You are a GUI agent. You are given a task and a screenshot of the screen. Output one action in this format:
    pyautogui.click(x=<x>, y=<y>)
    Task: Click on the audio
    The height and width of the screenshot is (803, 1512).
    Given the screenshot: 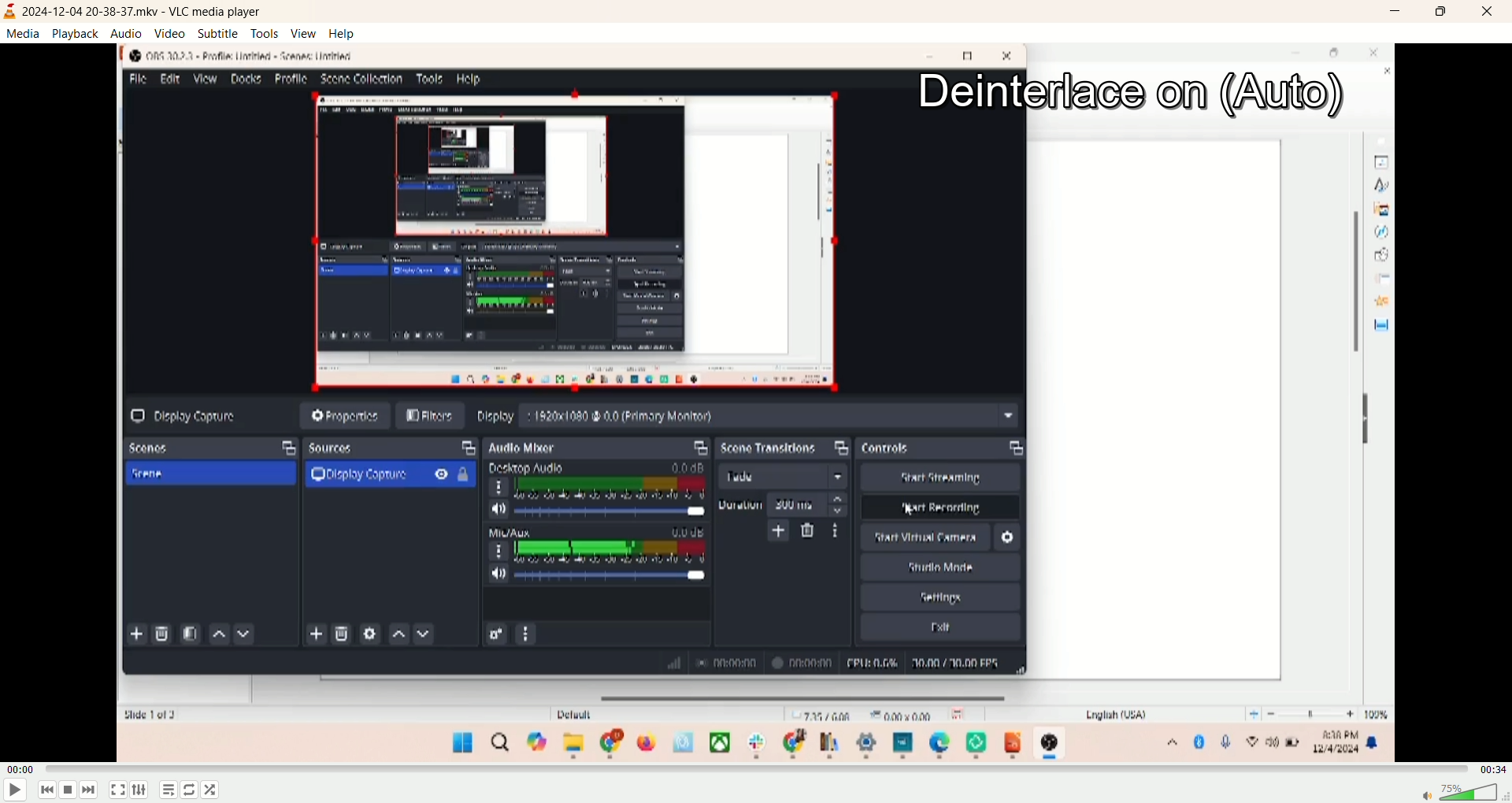 What is the action you would take?
    pyautogui.click(x=124, y=32)
    